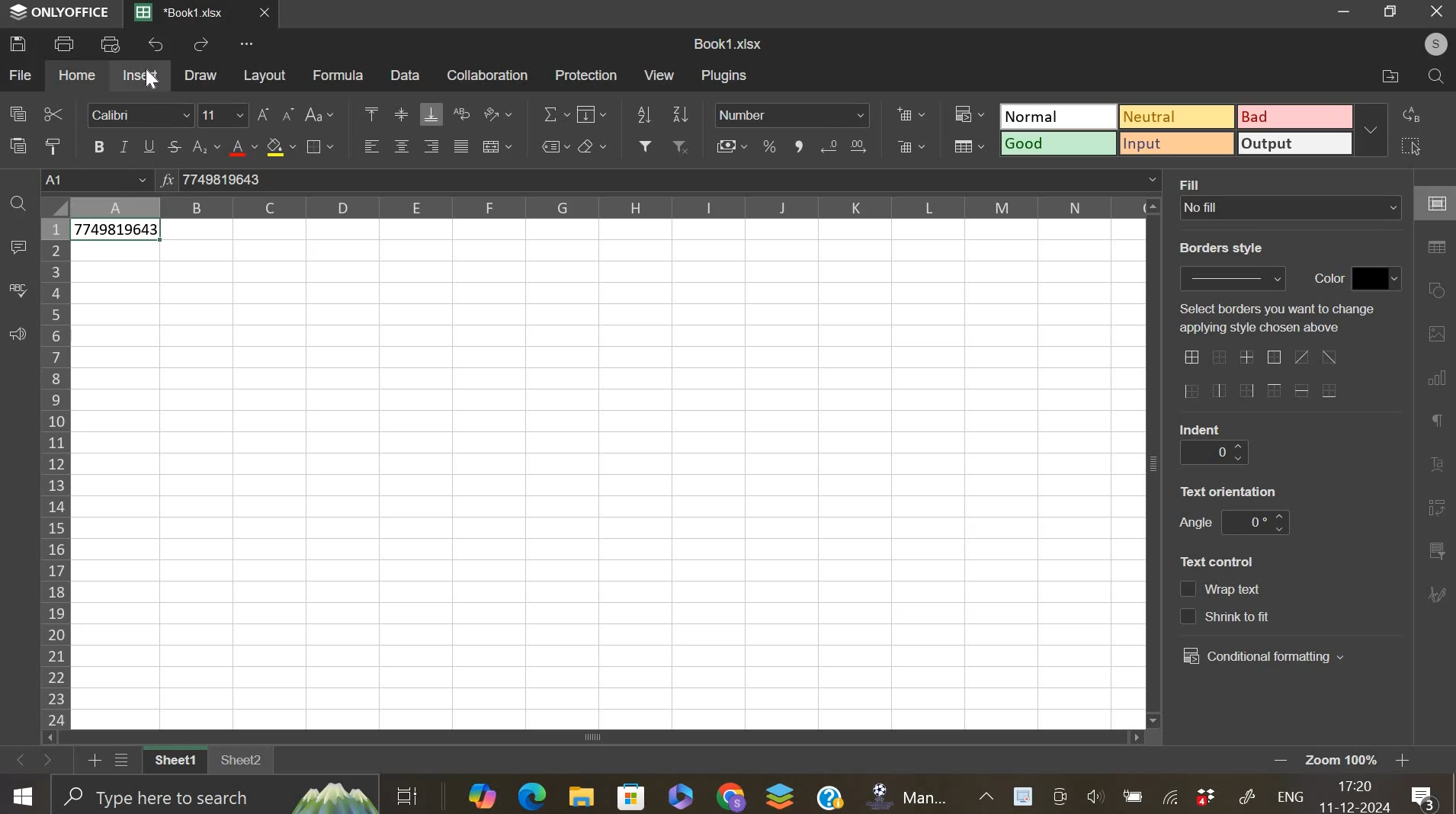 The image size is (1456, 814). What do you see at coordinates (1429, 43) in the screenshot?
I see `user` at bounding box center [1429, 43].